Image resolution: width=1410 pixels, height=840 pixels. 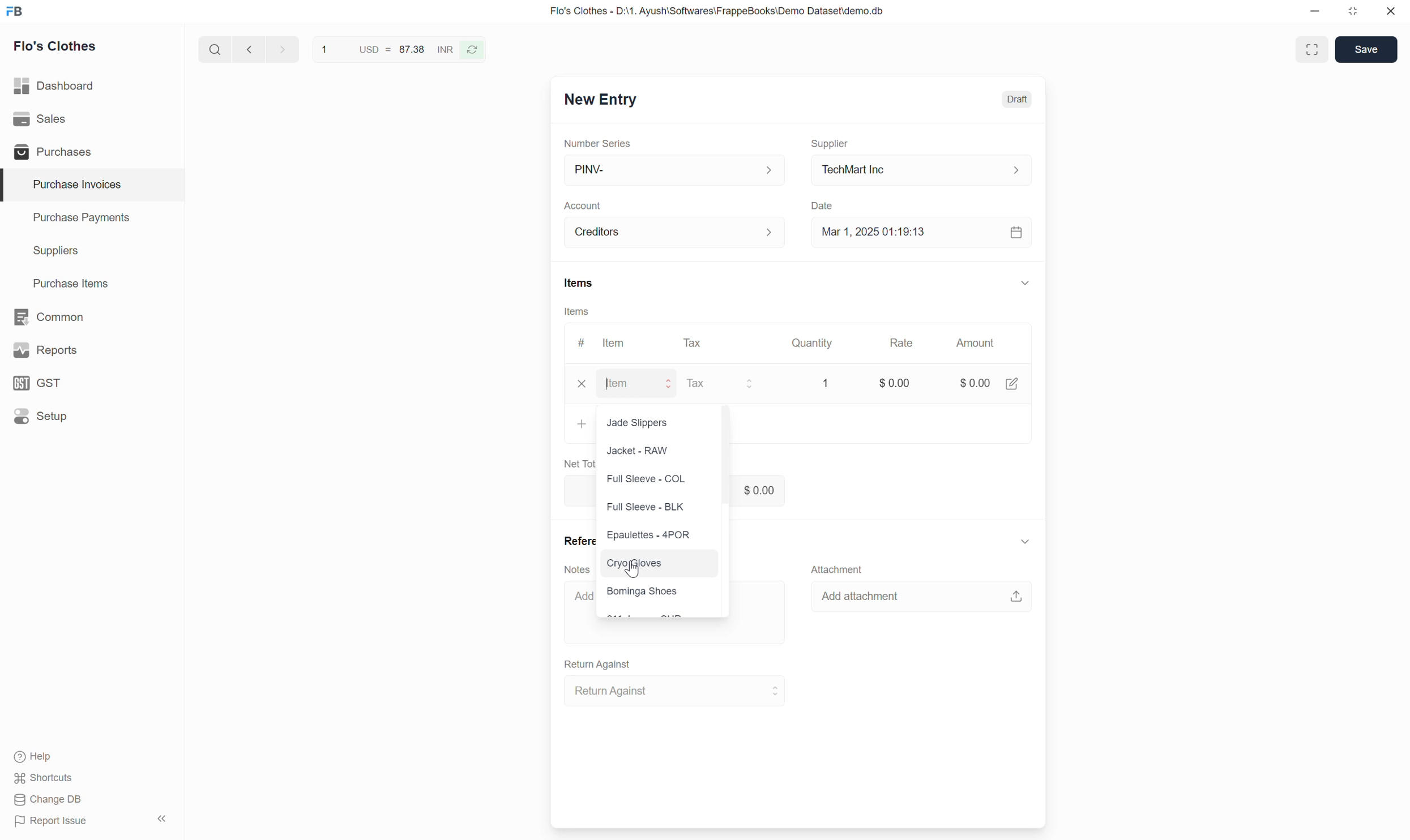 I want to click on Purchases, so click(x=50, y=152).